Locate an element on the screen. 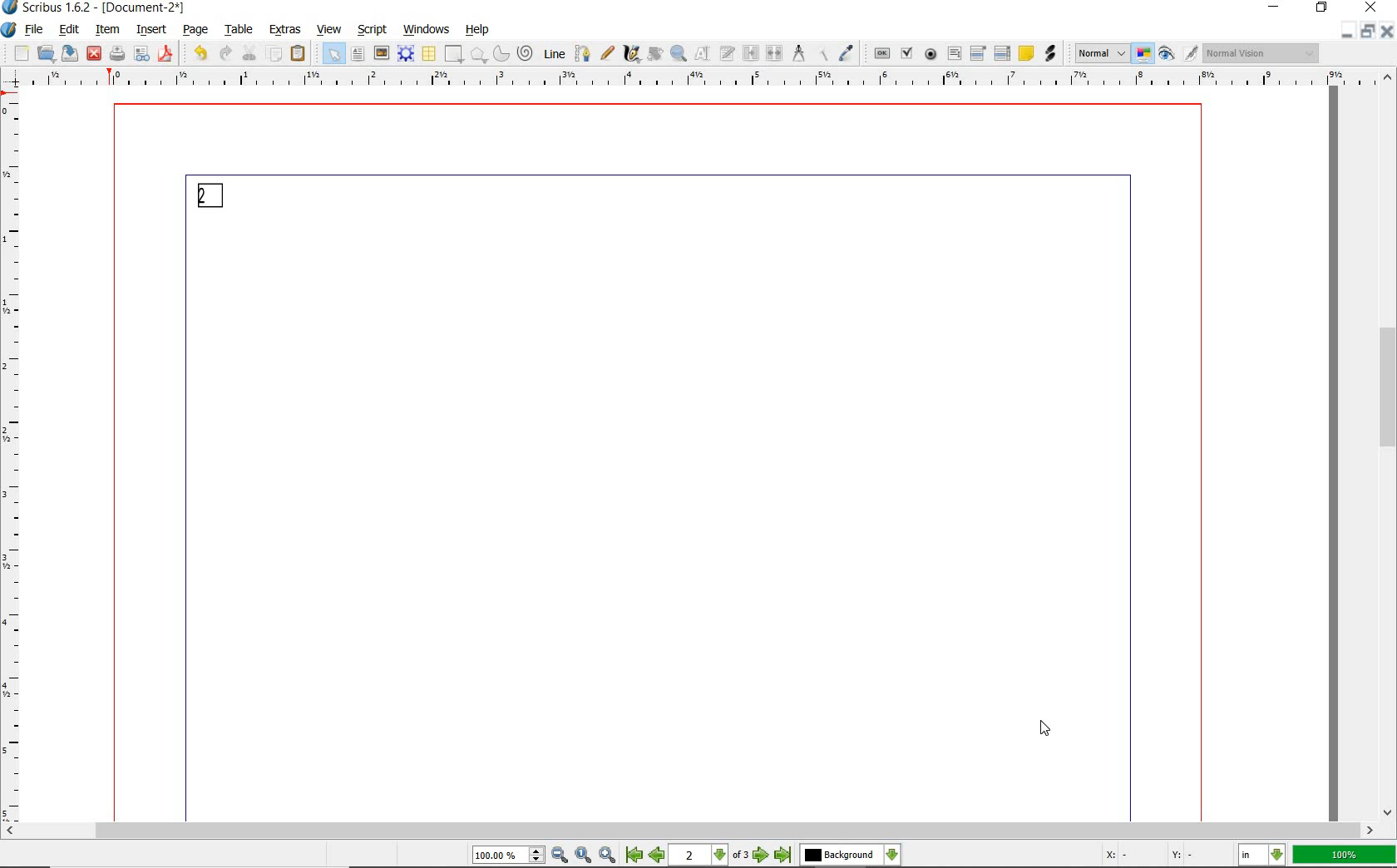 The image size is (1397, 868). edit text with story editor is located at coordinates (728, 53).